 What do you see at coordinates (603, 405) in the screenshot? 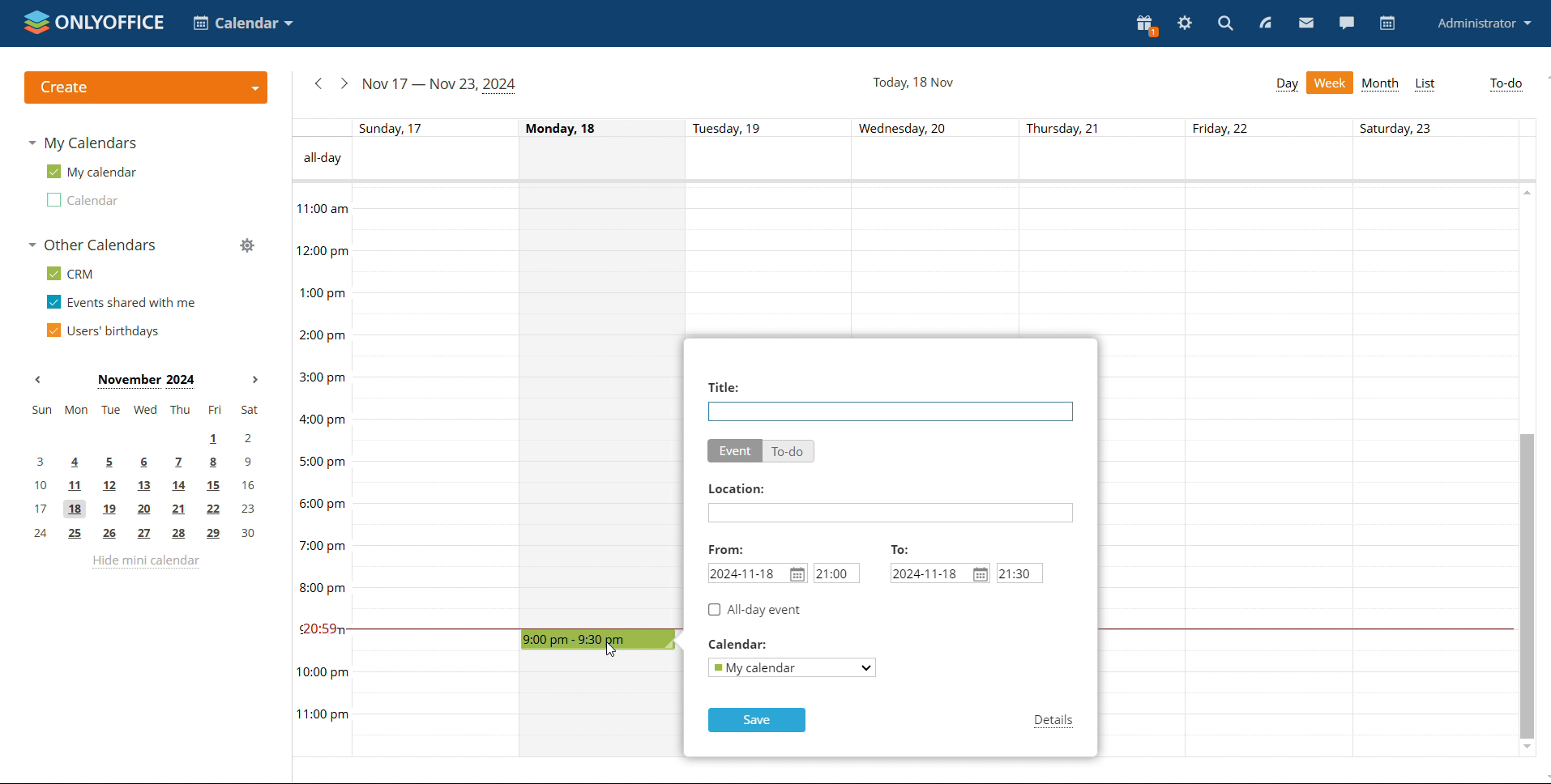
I see `Monday` at bounding box center [603, 405].